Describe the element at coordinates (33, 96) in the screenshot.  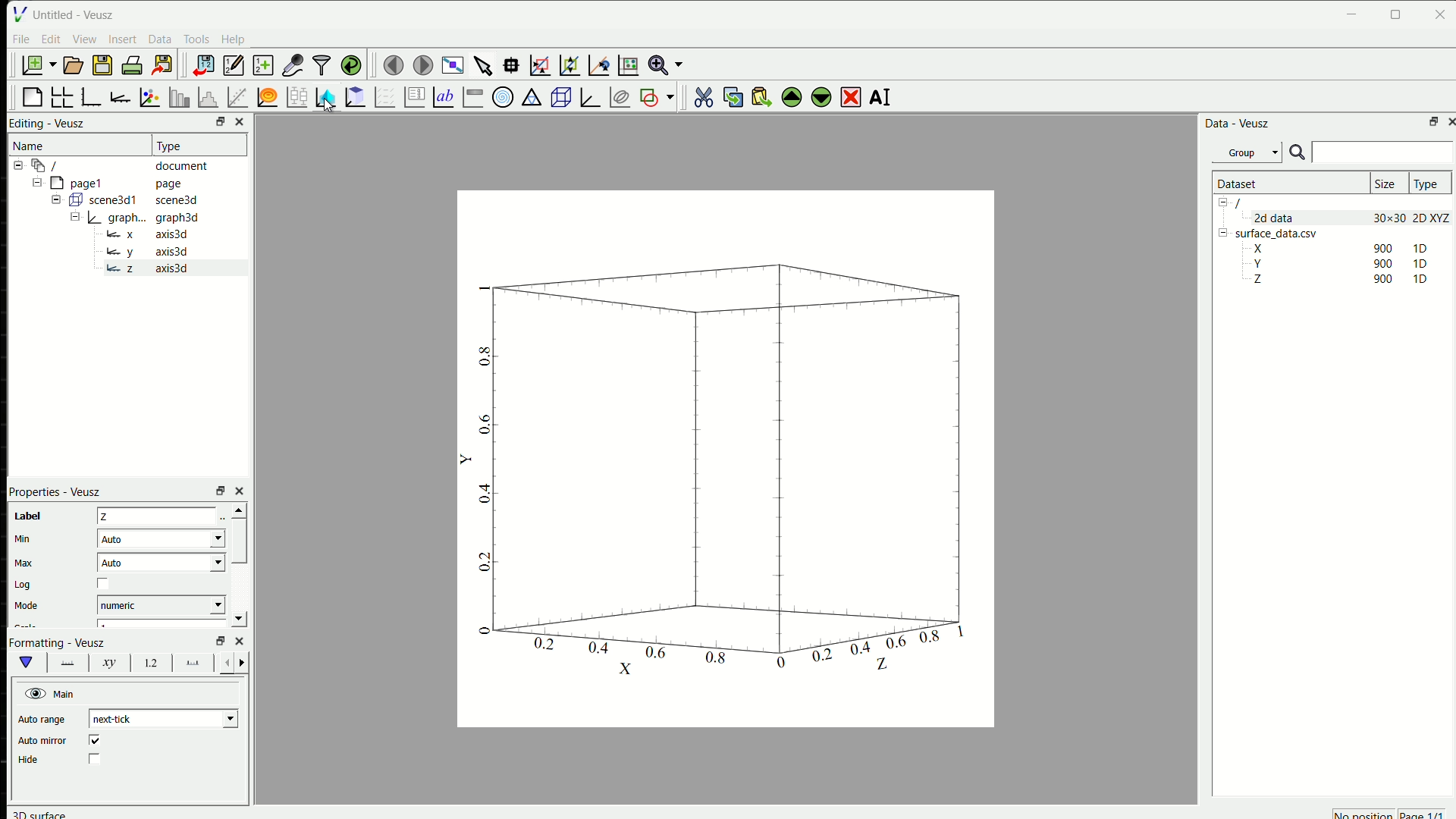
I see `blank page` at that location.